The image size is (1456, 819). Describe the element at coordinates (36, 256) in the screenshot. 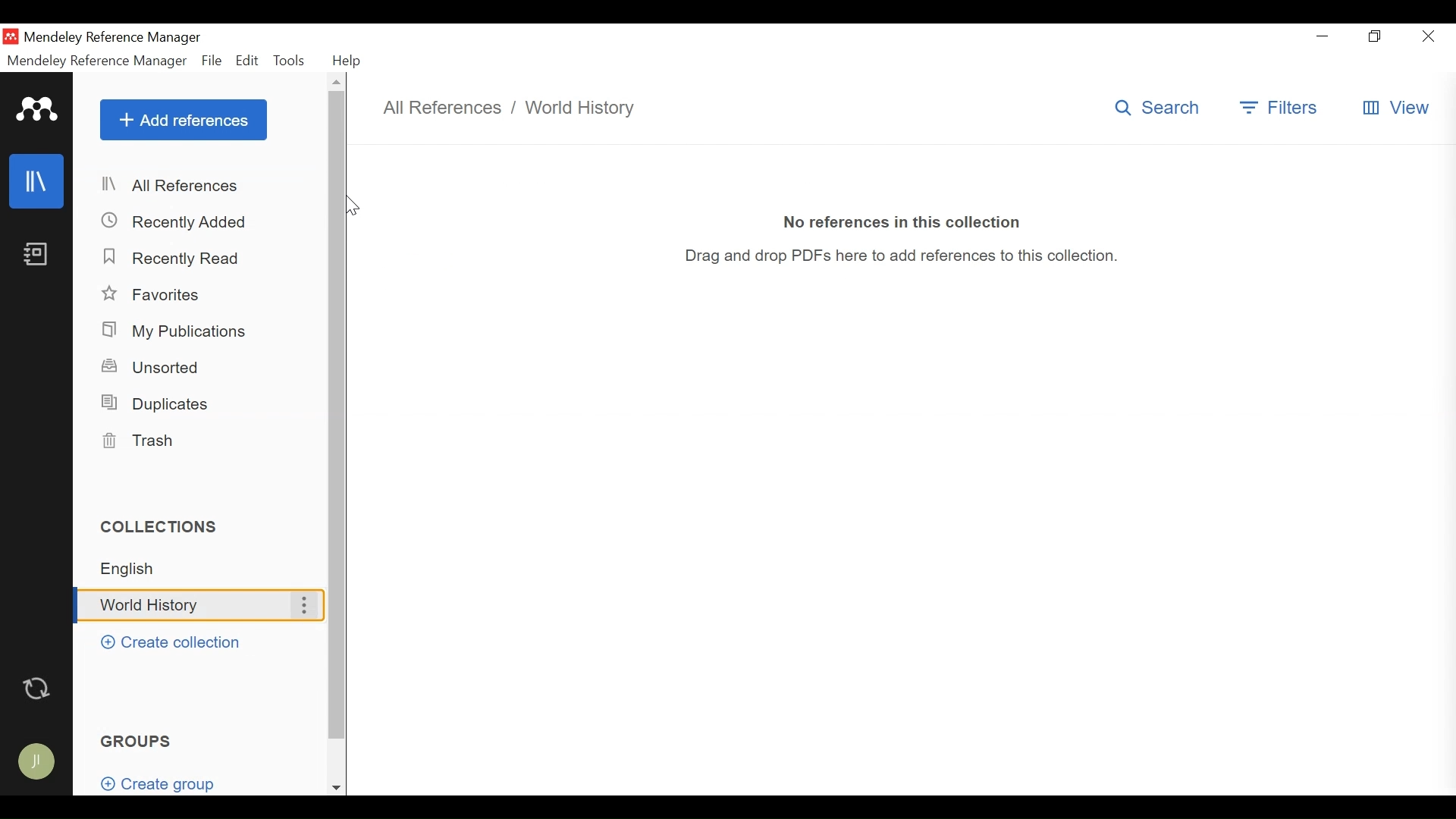

I see `Notebook` at that location.